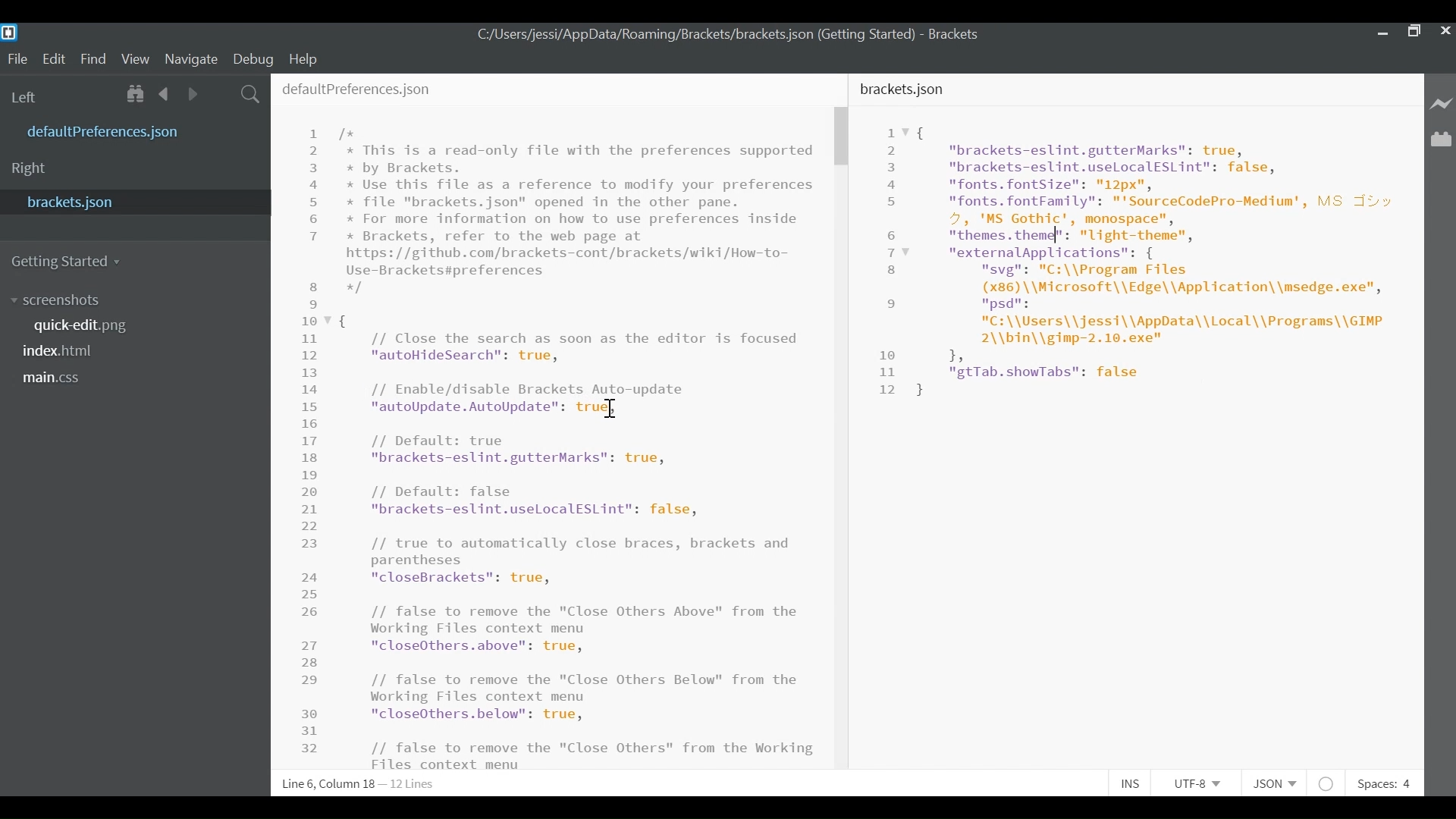 Image resolution: width=1456 pixels, height=819 pixels. Describe the element at coordinates (356, 784) in the screenshot. I see `Line, Column Preference` at that location.